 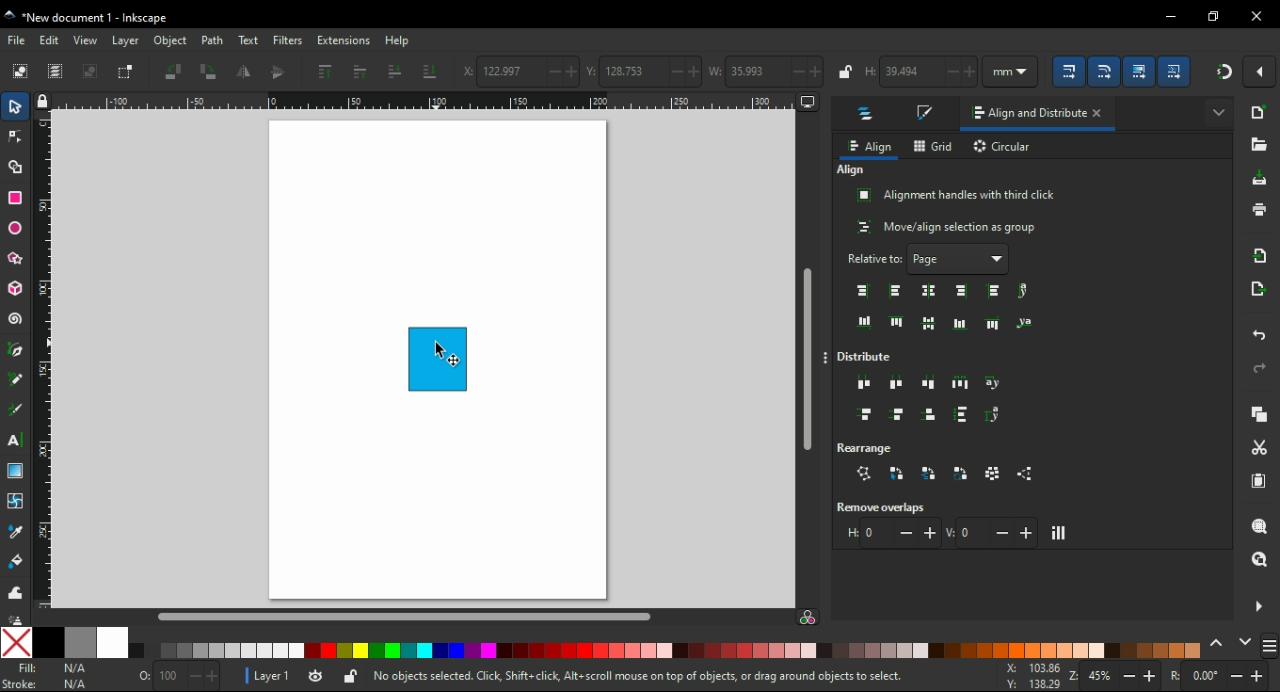 I want to click on layer, so click(x=125, y=41).